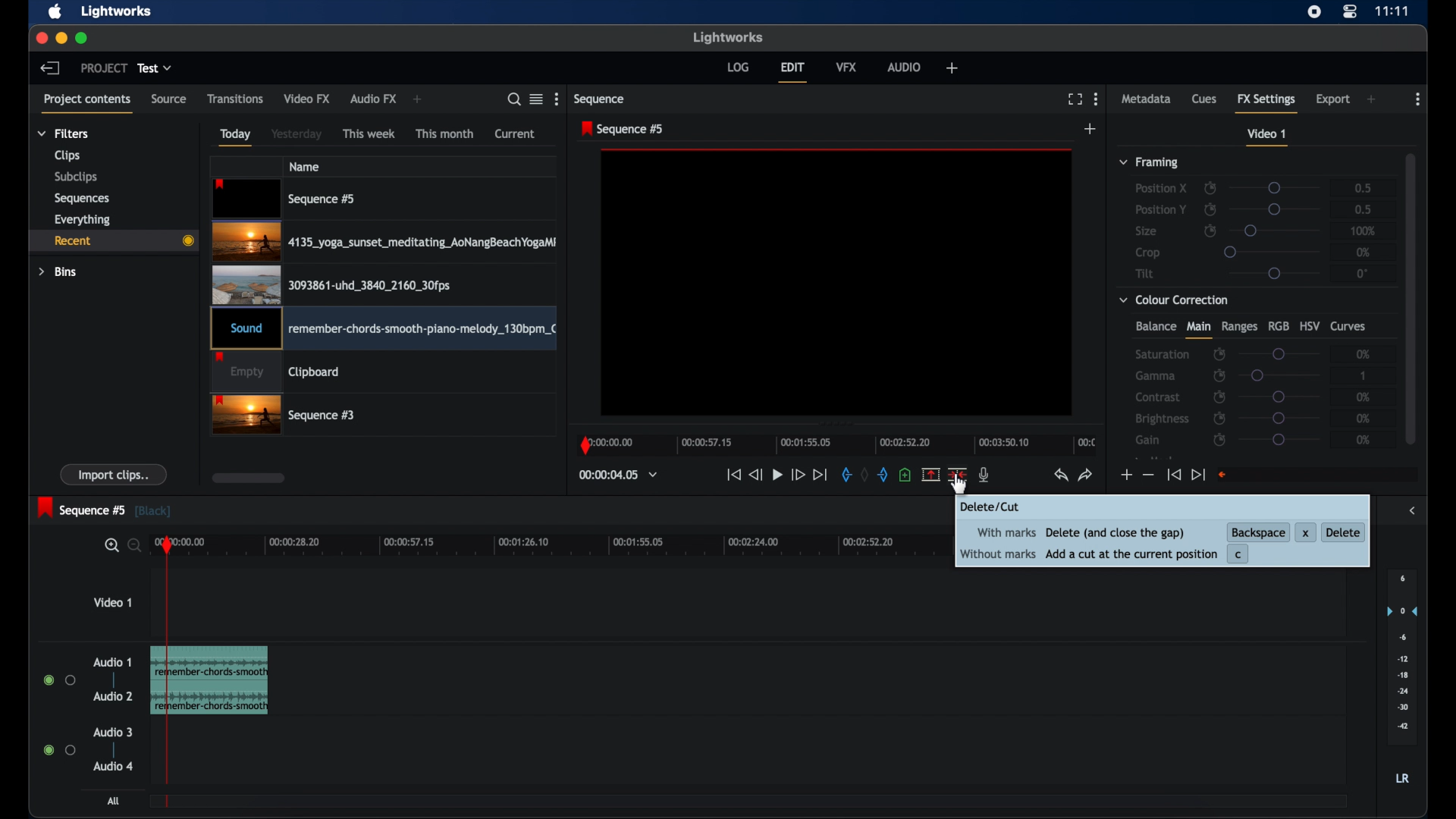 The width and height of the screenshot is (1456, 819). Describe the element at coordinates (1351, 327) in the screenshot. I see `curves` at that location.